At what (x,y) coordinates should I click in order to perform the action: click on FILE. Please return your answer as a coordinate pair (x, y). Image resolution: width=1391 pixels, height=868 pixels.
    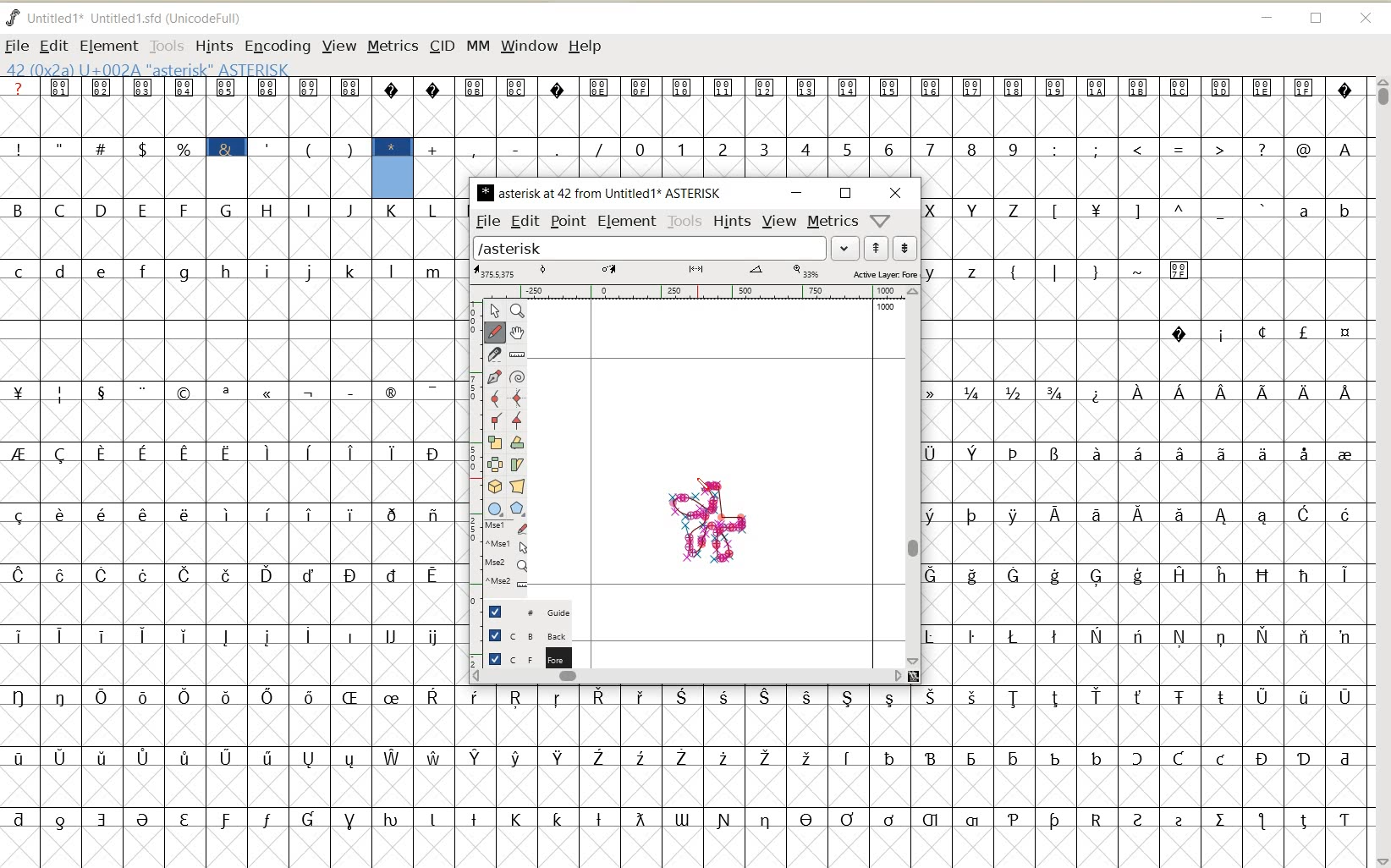
    Looking at the image, I should click on (17, 45).